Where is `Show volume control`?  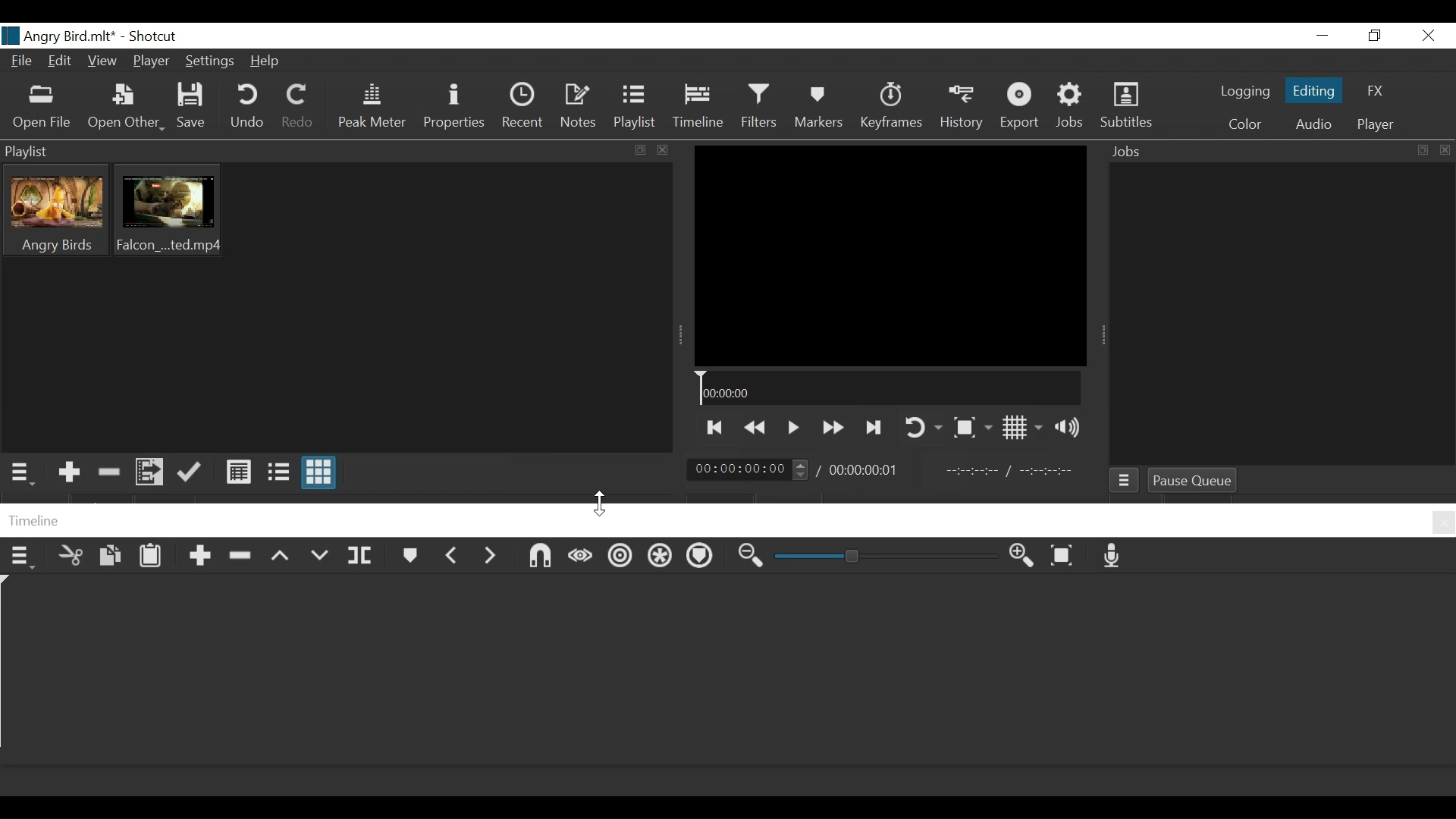
Show volume control is located at coordinates (1075, 428).